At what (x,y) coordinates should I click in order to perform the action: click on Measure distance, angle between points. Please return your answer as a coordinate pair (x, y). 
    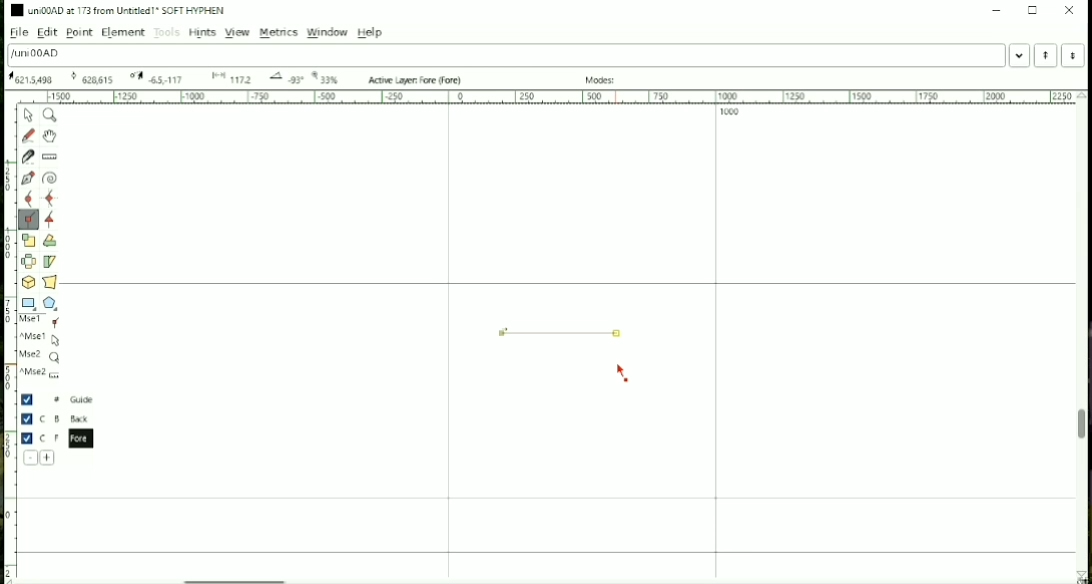
    Looking at the image, I should click on (51, 157).